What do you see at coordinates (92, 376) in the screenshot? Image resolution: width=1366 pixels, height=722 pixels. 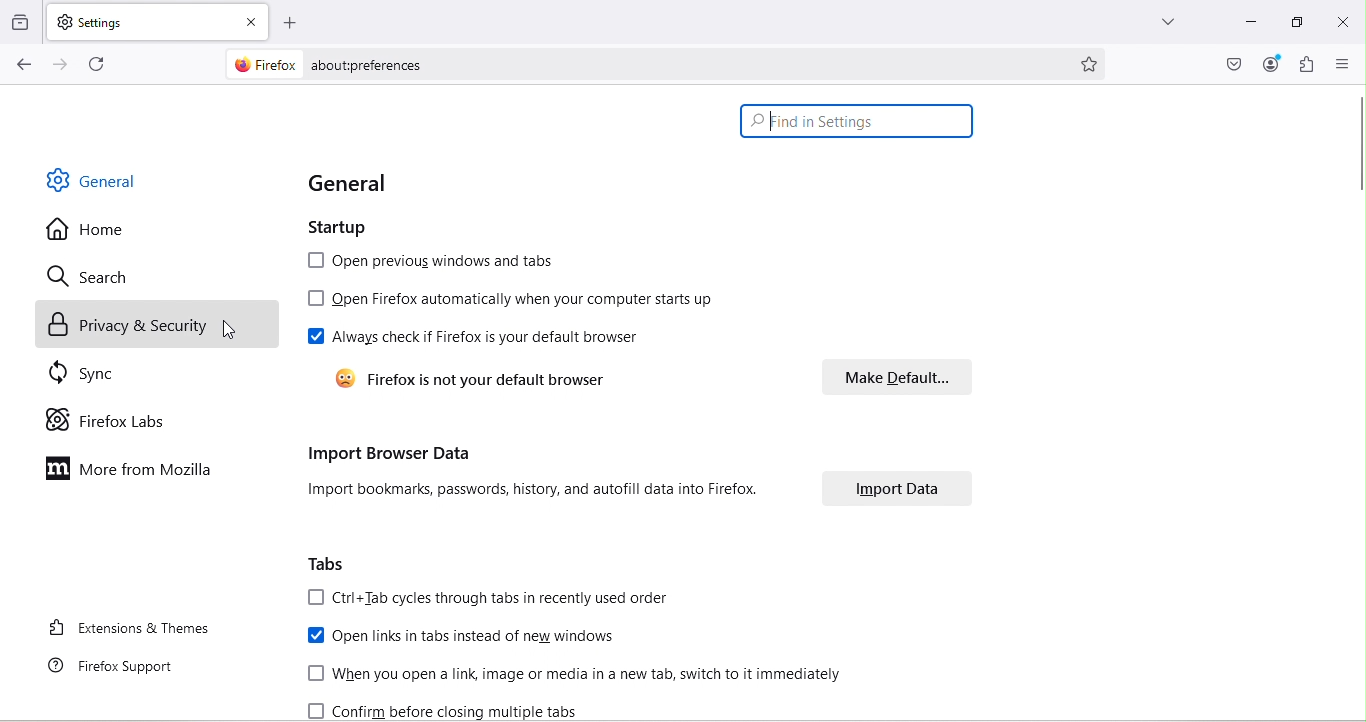 I see `Sync` at bounding box center [92, 376].